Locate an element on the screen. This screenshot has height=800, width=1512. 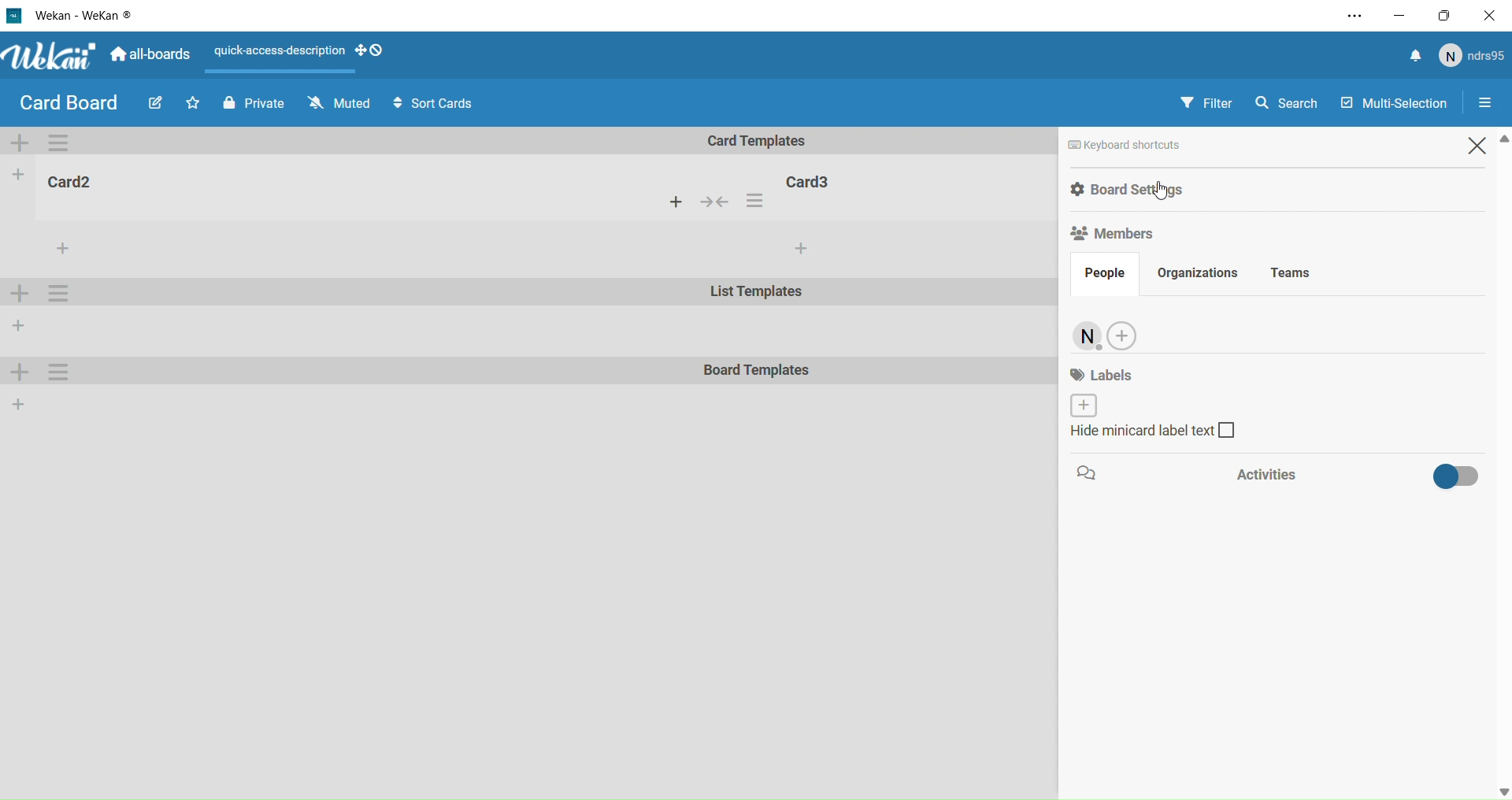
Search is located at coordinates (1292, 101).